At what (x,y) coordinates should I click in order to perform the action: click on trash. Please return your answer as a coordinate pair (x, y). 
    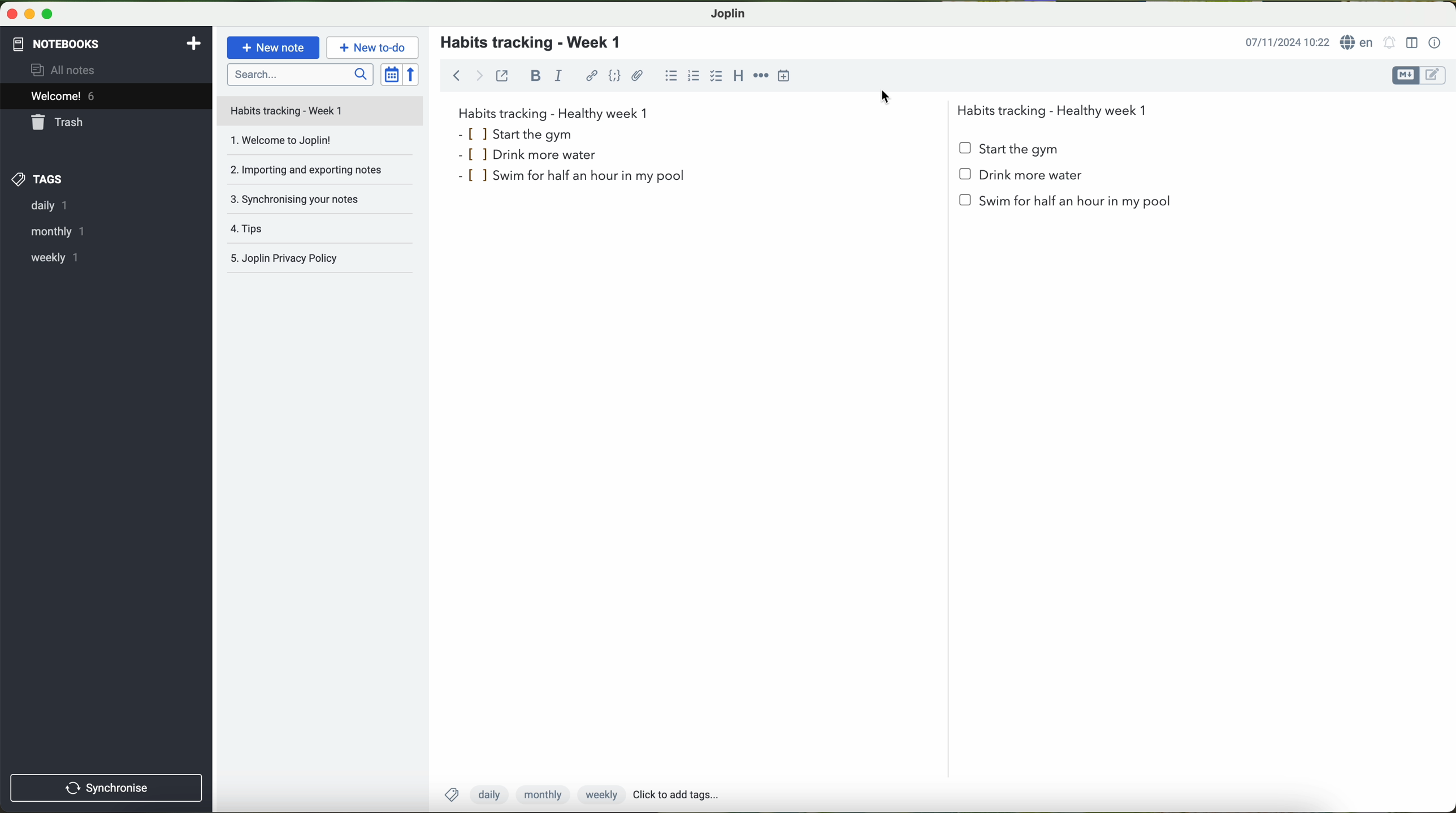
    Looking at the image, I should click on (59, 122).